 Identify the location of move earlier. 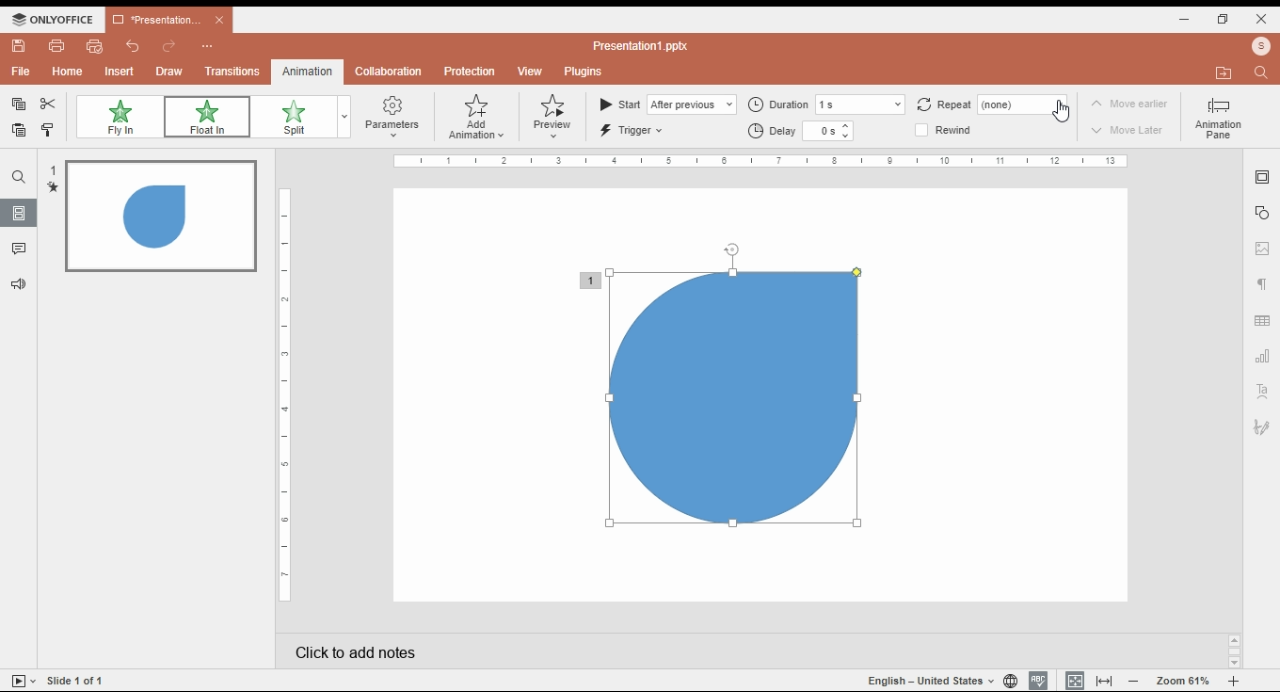
(1128, 105).